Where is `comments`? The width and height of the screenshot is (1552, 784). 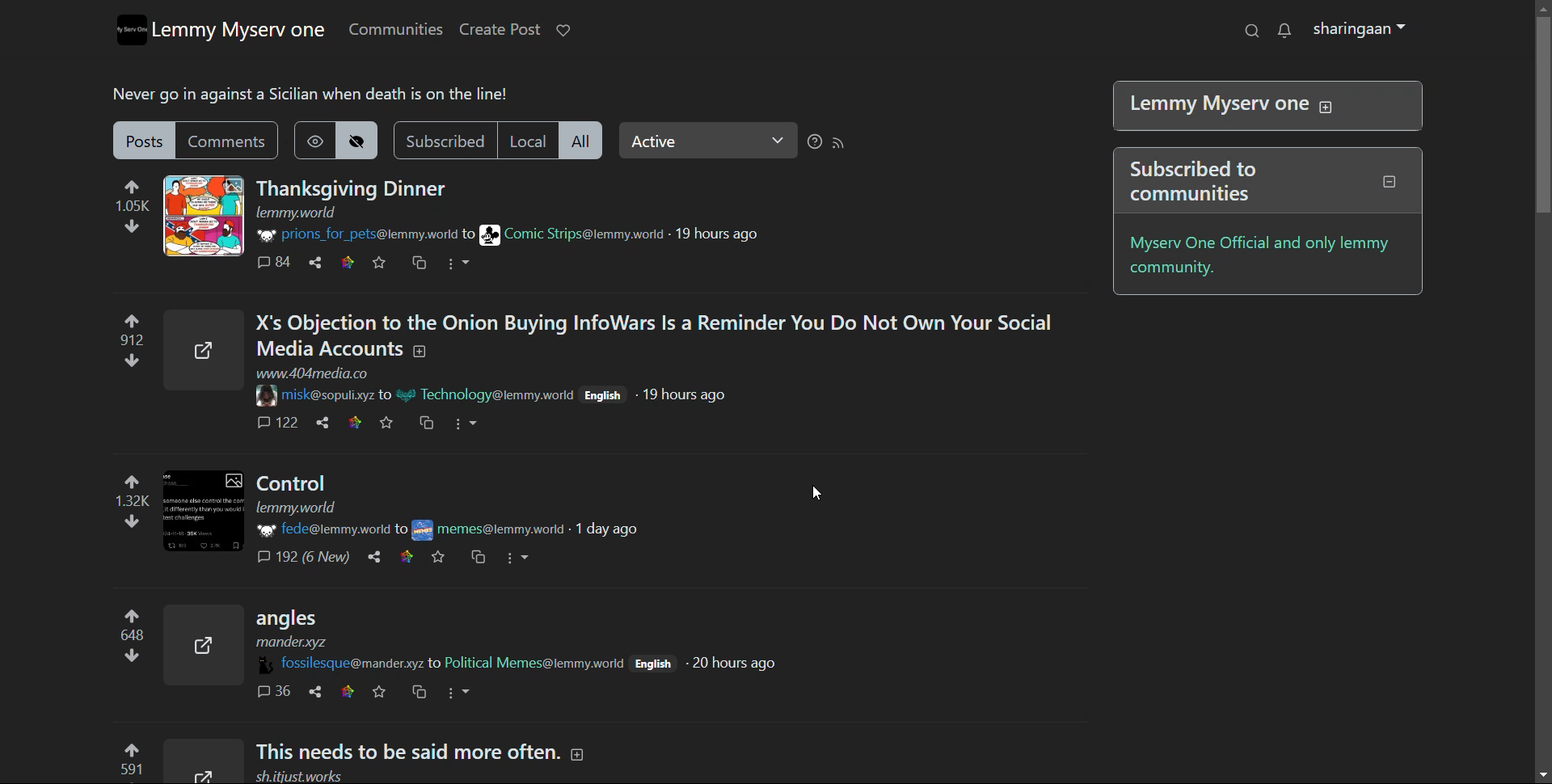 comments is located at coordinates (272, 692).